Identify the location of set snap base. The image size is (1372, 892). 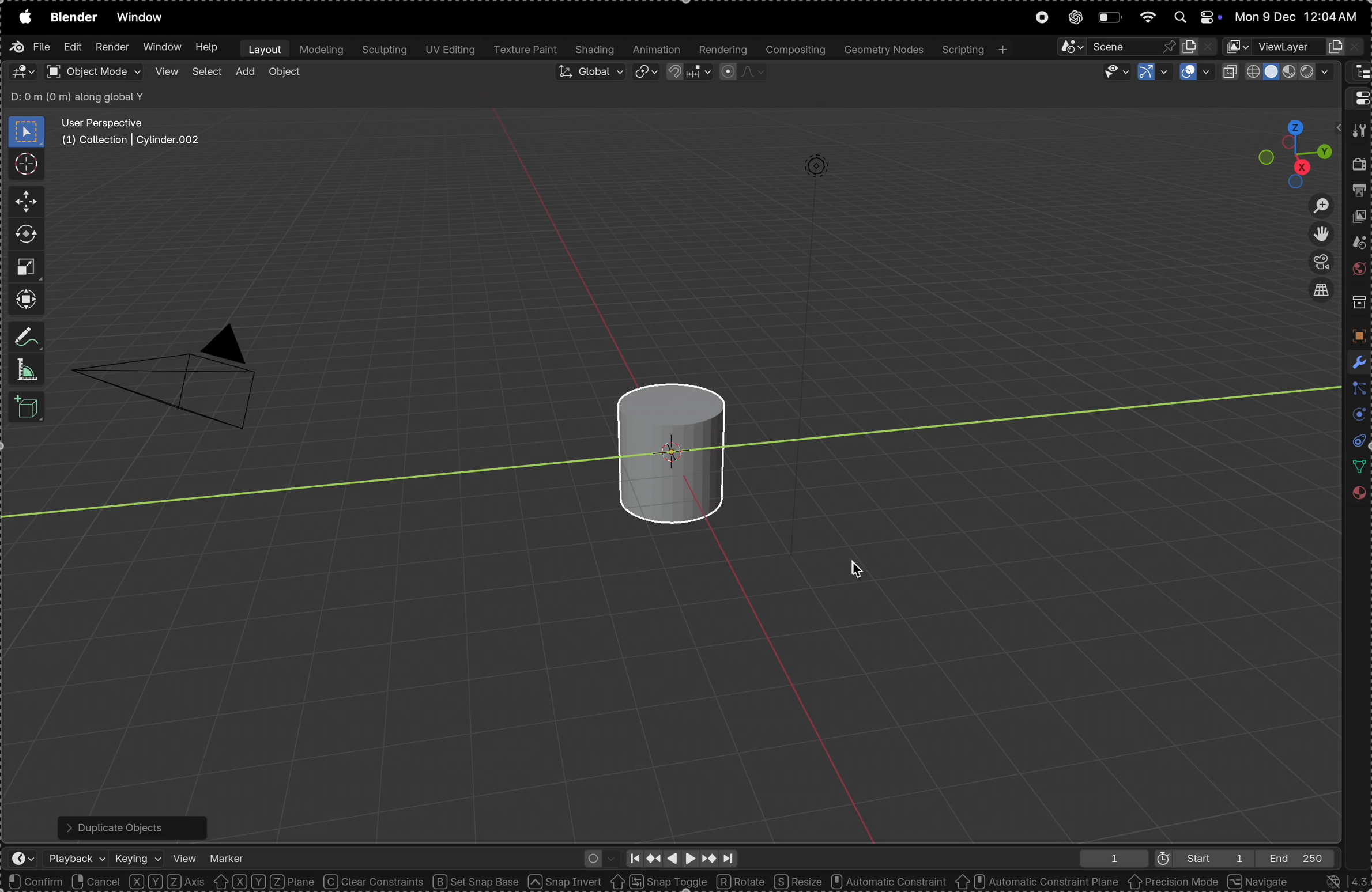
(480, 882).